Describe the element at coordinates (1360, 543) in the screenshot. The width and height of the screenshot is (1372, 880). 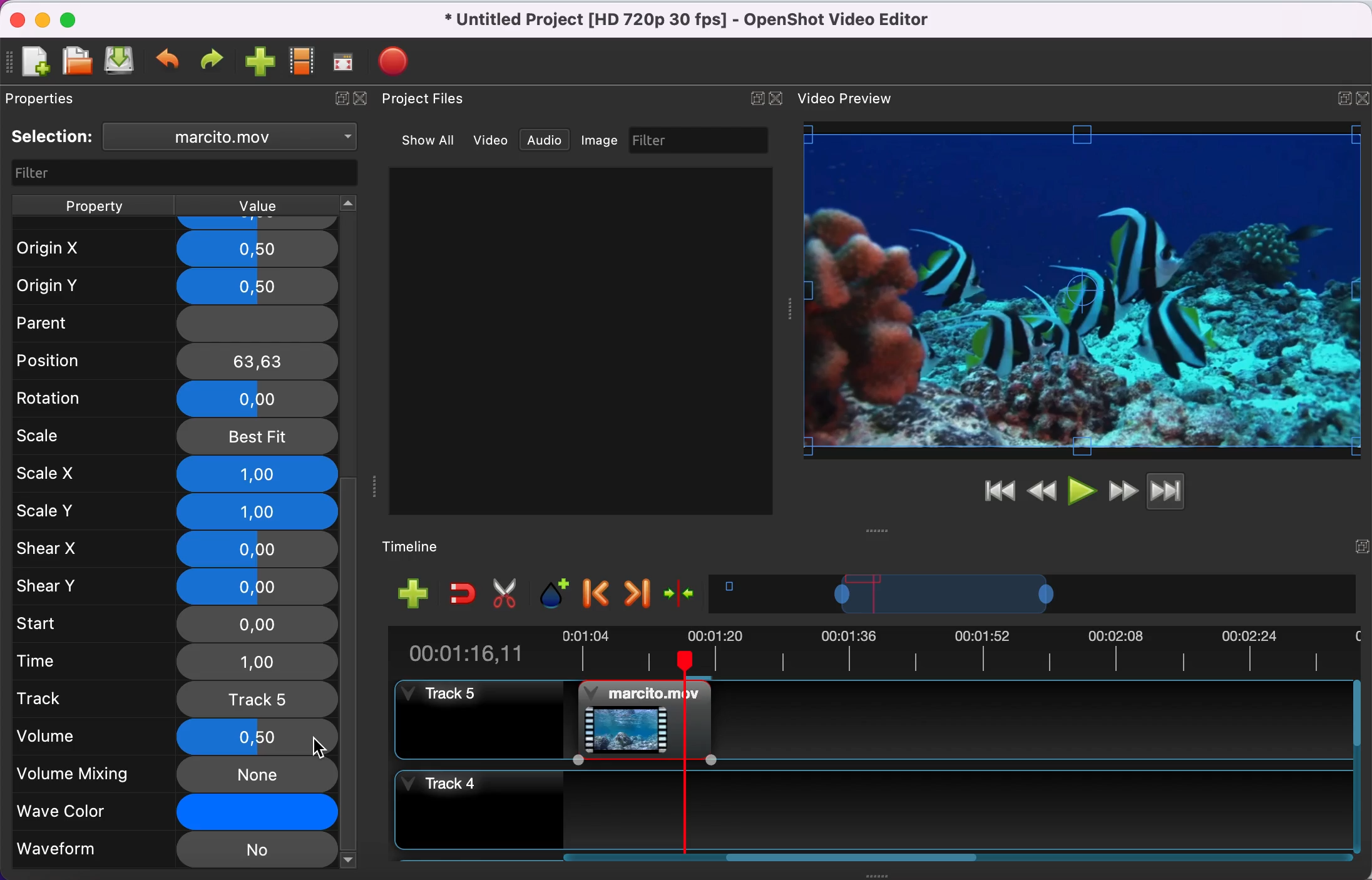
I see `expand/hide` at that location.